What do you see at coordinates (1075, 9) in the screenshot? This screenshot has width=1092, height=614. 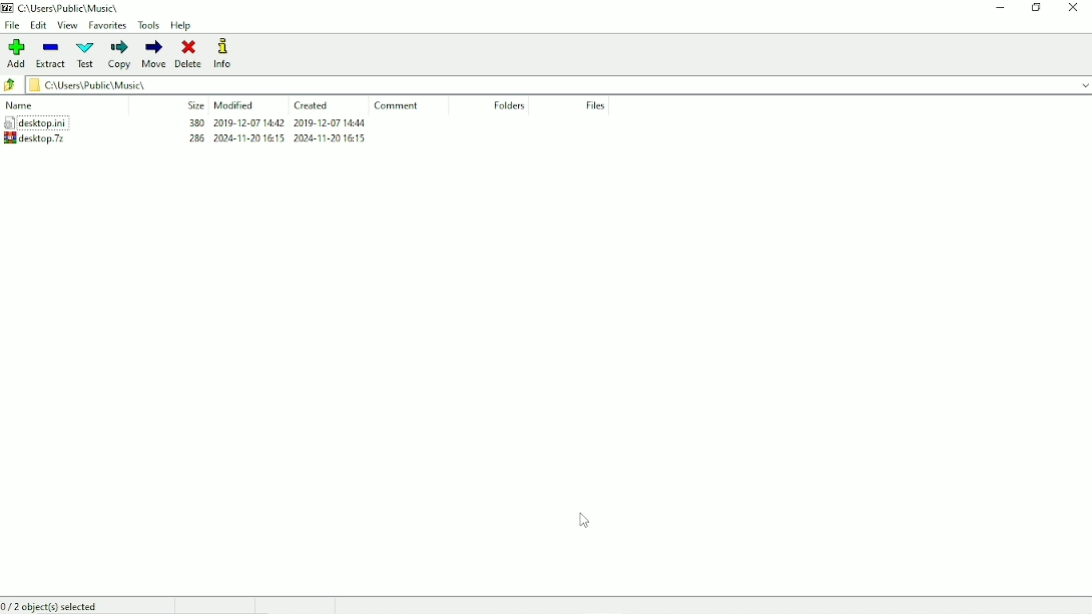 I see `Close` at bounding box center [1075, 9].